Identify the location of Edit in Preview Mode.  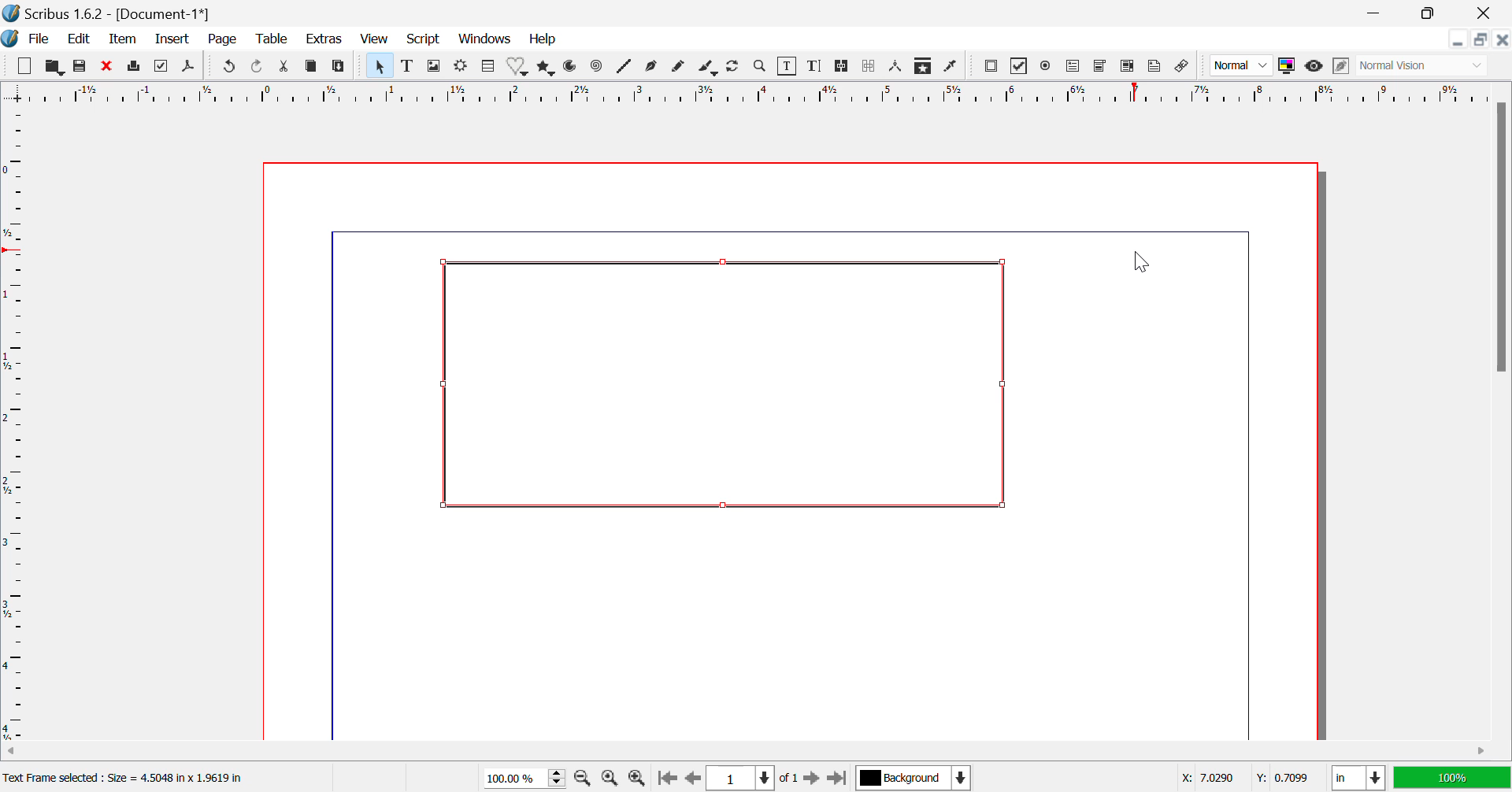
(1341, 68).